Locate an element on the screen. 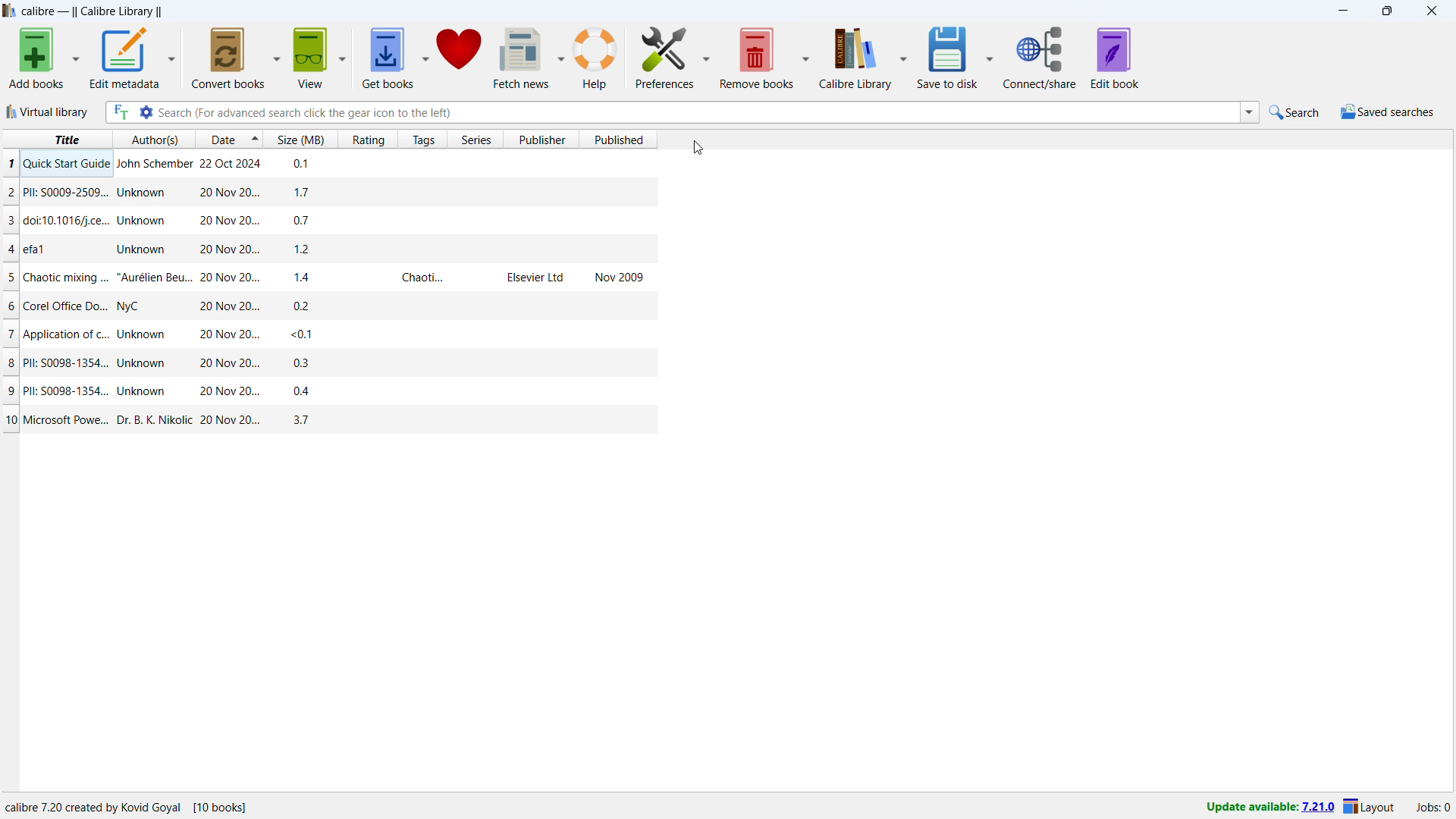  5 Chaotic mixing ... "Aurélien Beu... 20 Nov 20... 14 Chaoti... Elsevier Ltd Nov 2009 is located at coordinates (324, 275).